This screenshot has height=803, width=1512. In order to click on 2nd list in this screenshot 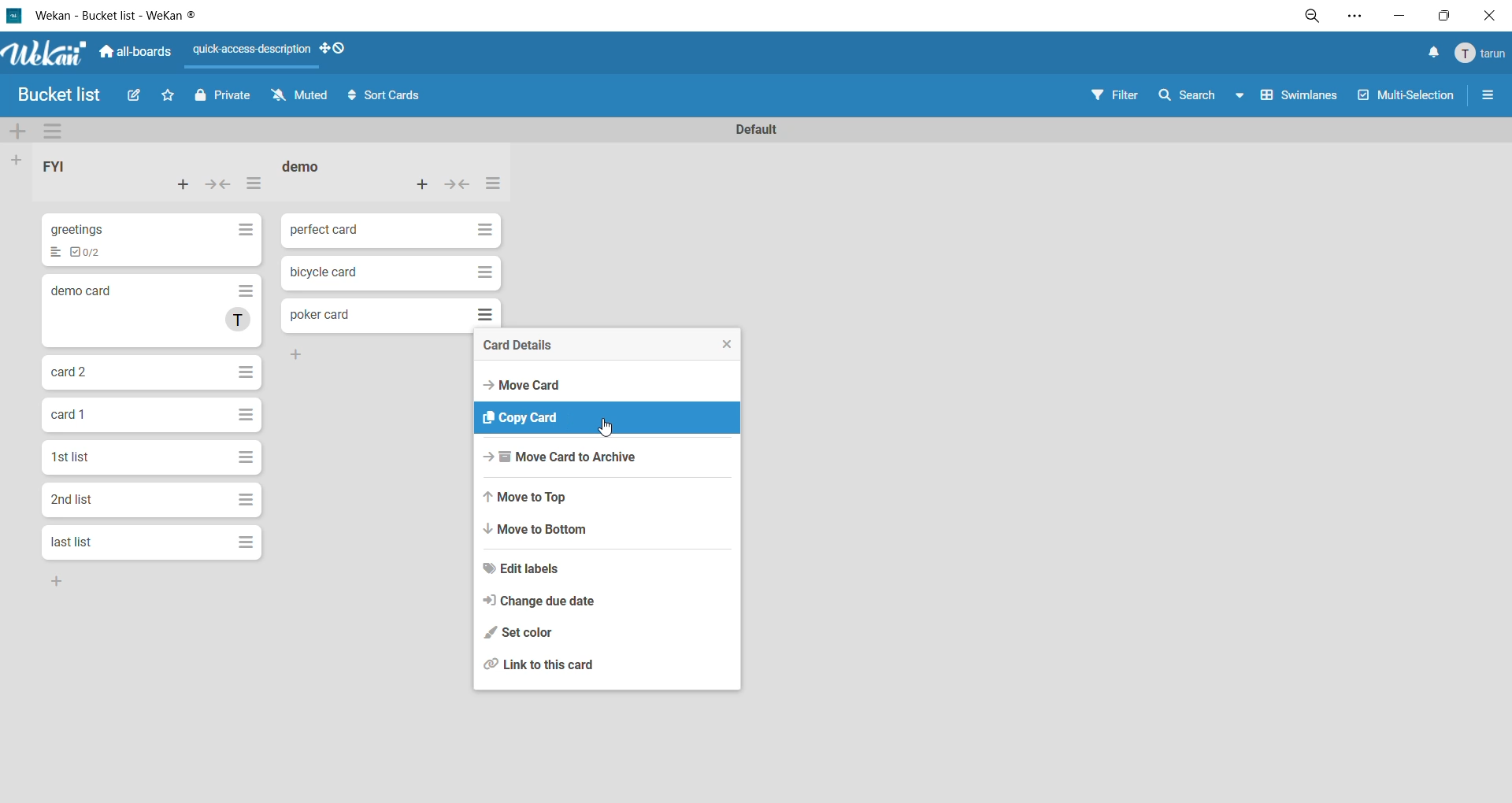, I will do `click(78, 502)`.